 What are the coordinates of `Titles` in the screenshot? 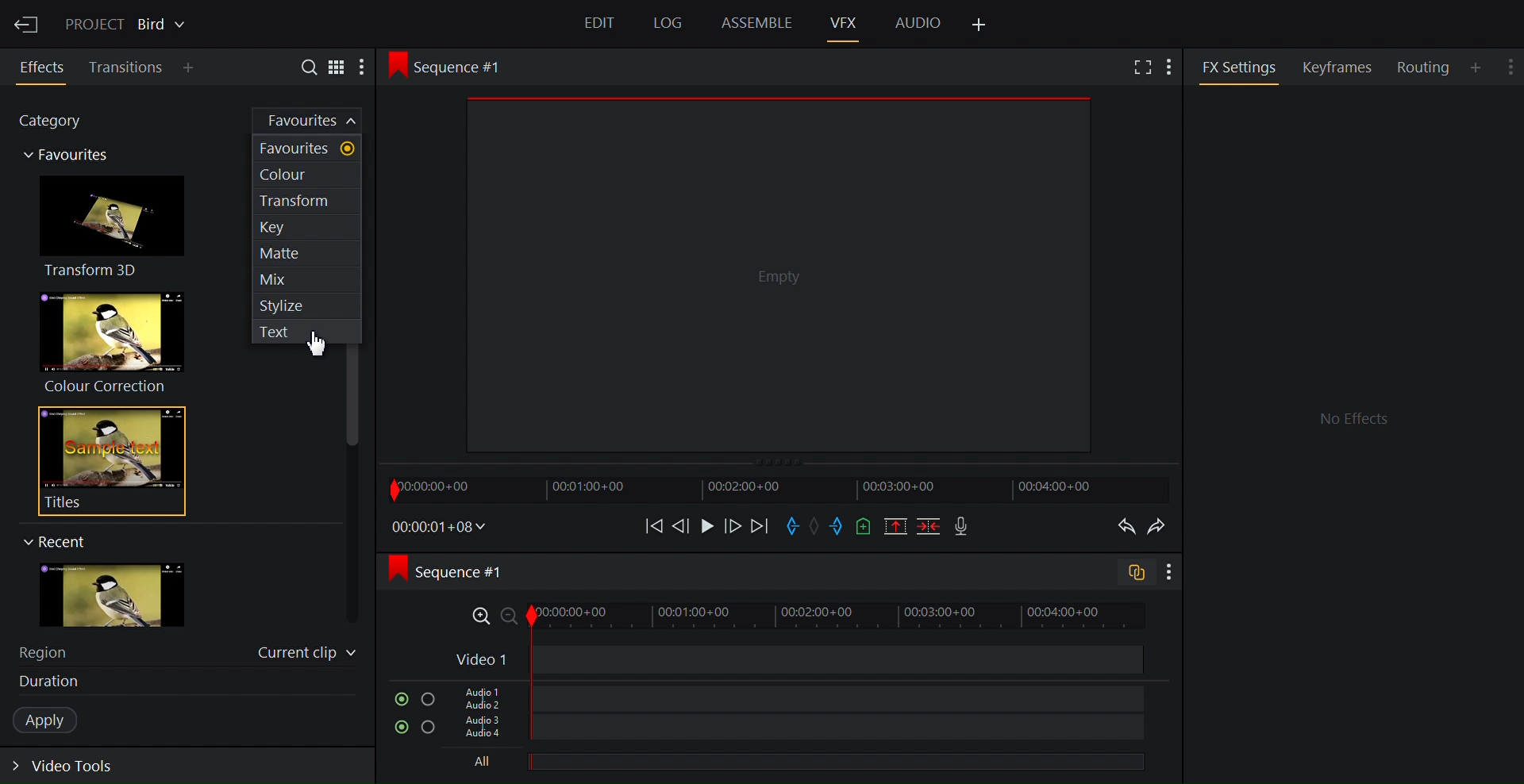 It's located at (113, 462).